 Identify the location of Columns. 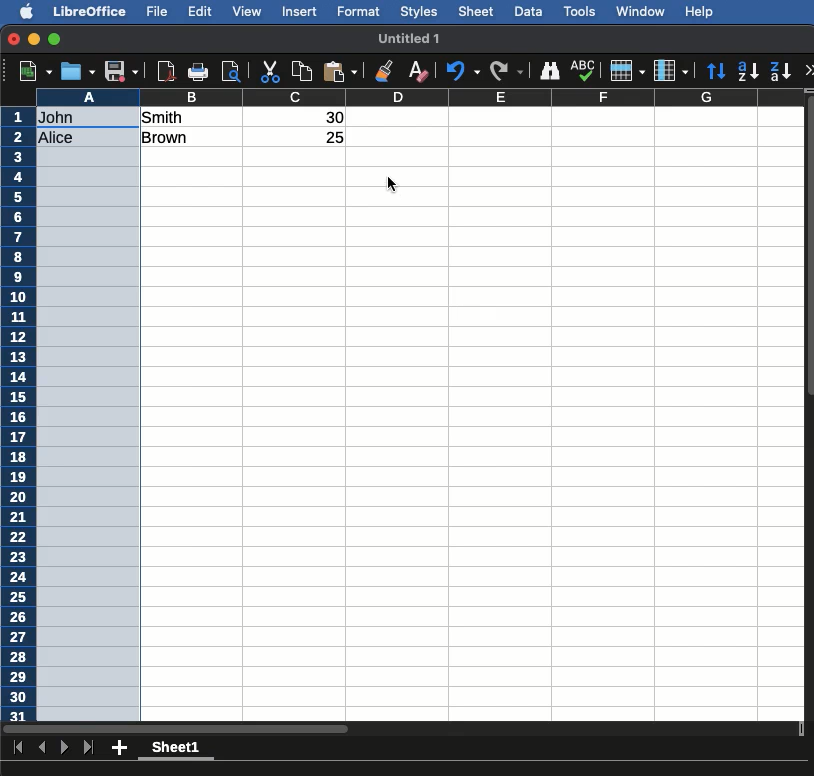
(671, 69).